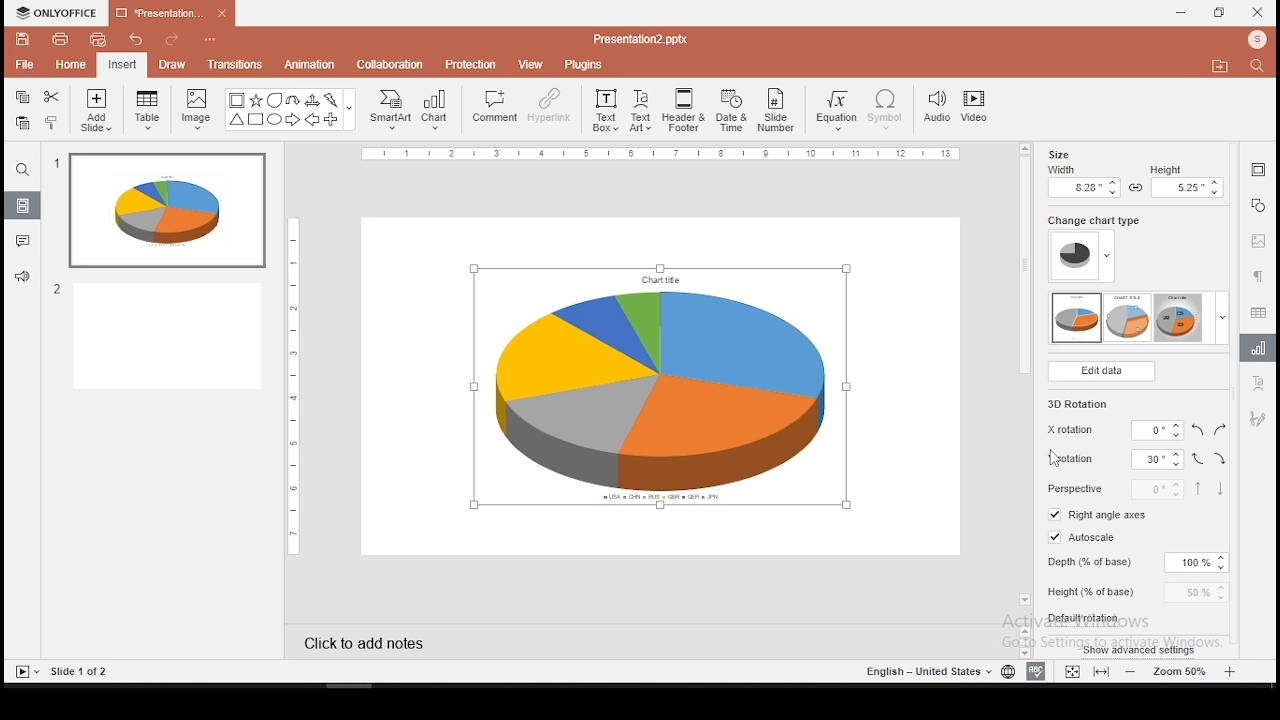 The width and height of the screenshot is (1280, 720). I want to click on left, so click(1199, 429).